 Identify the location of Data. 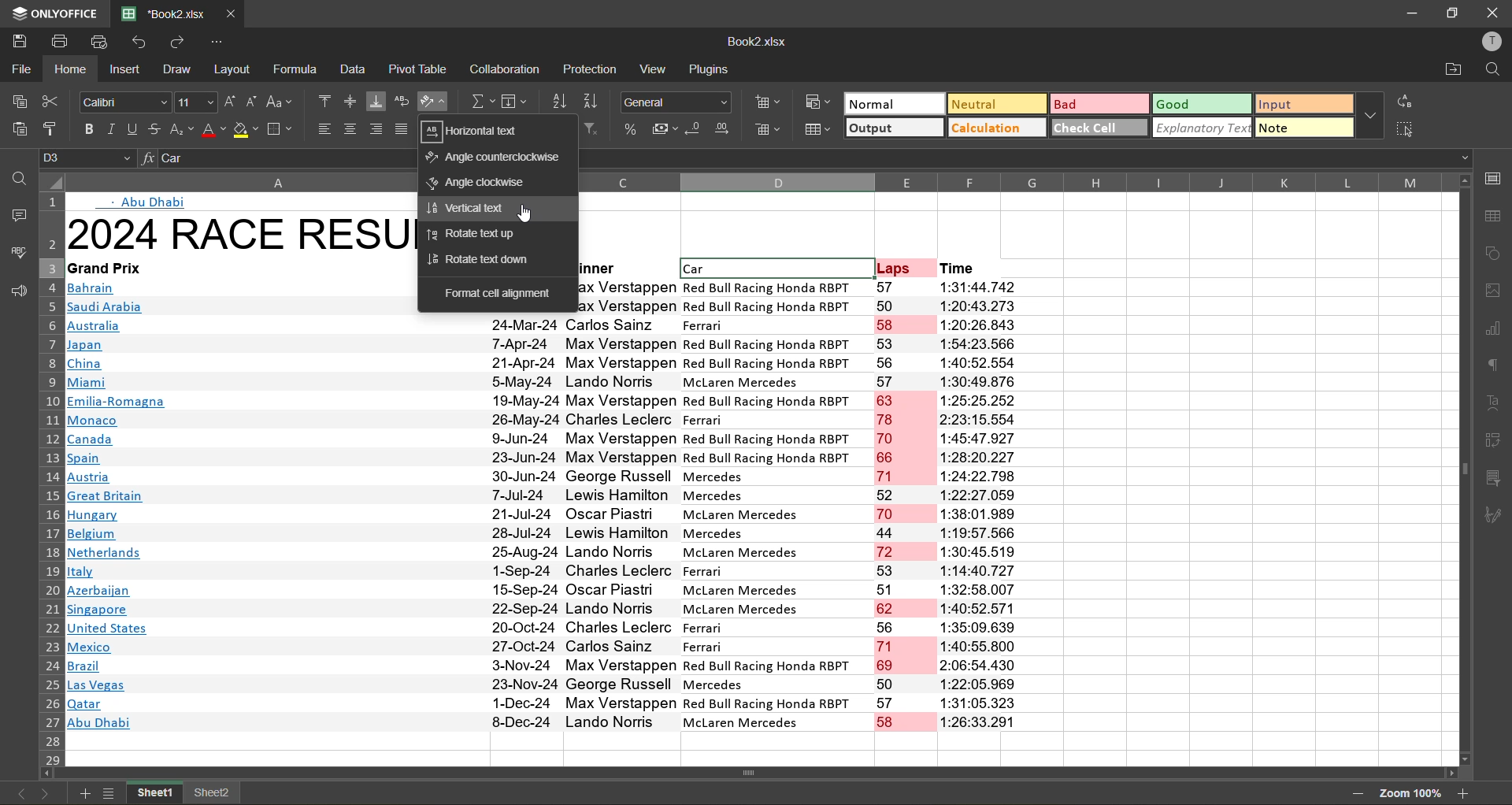
(795, 497).